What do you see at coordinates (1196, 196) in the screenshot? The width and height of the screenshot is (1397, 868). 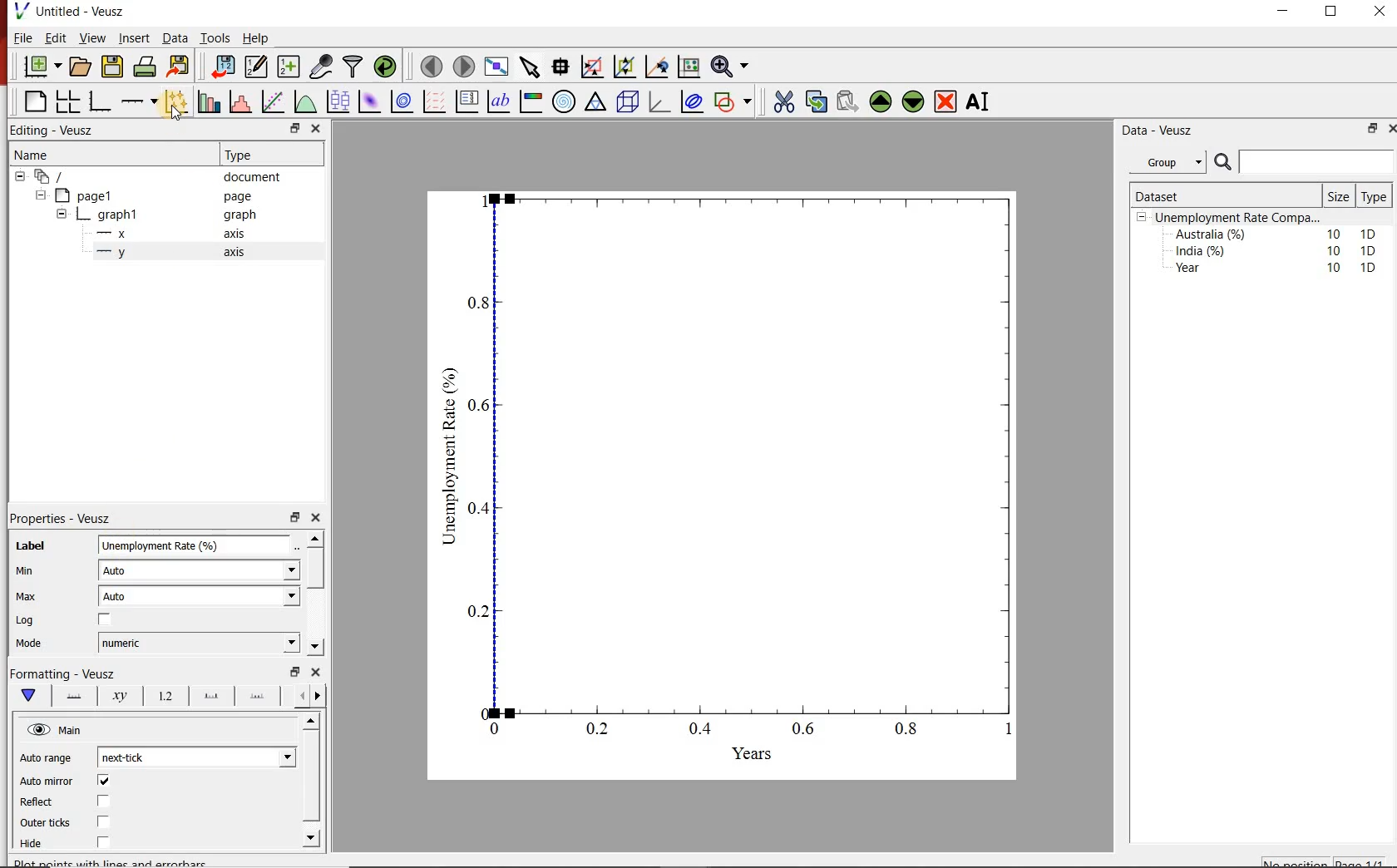 I see `Dataset` at bounding box center [1196, 196].